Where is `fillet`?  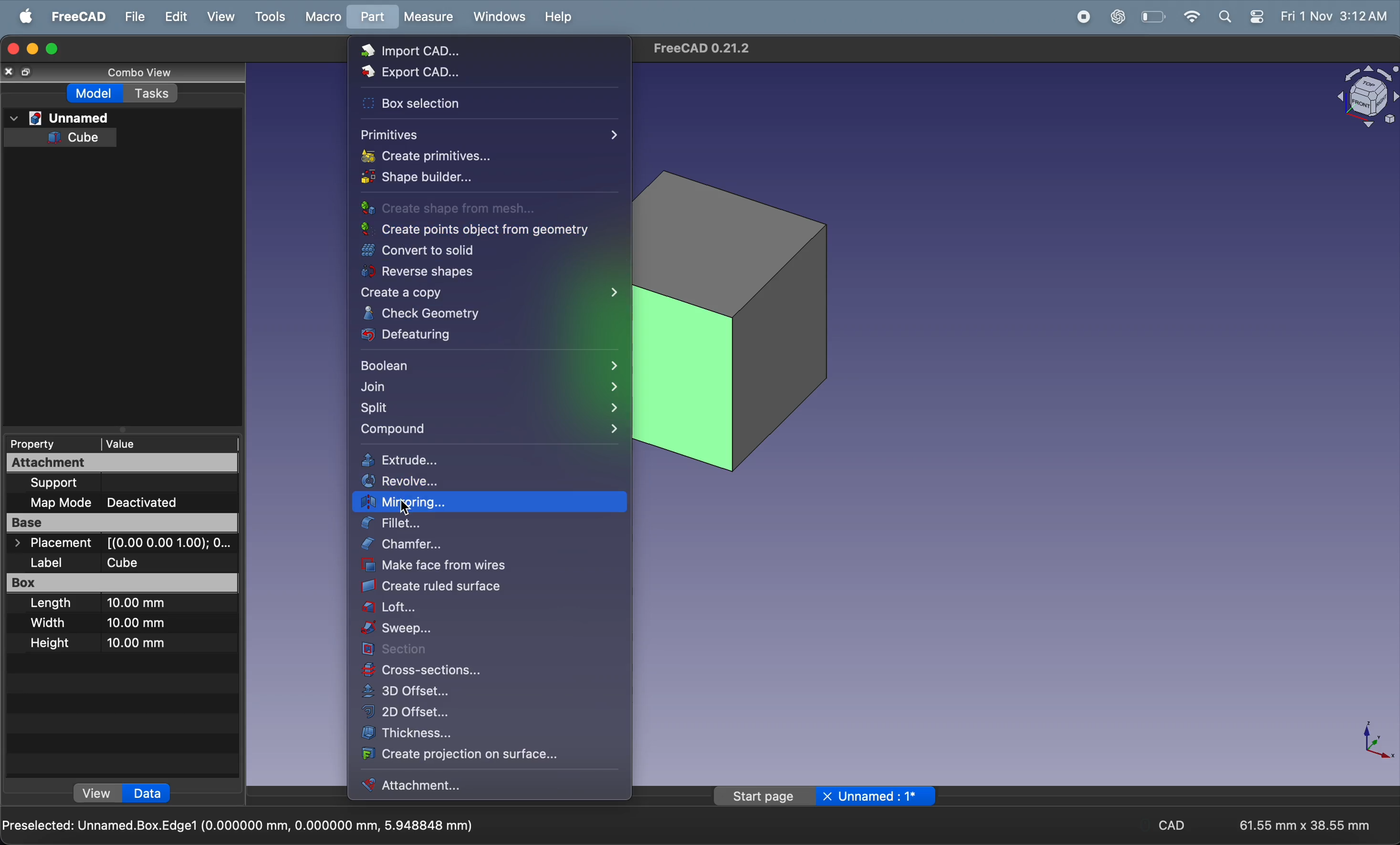 fillet is located at coordinates (493, 525).